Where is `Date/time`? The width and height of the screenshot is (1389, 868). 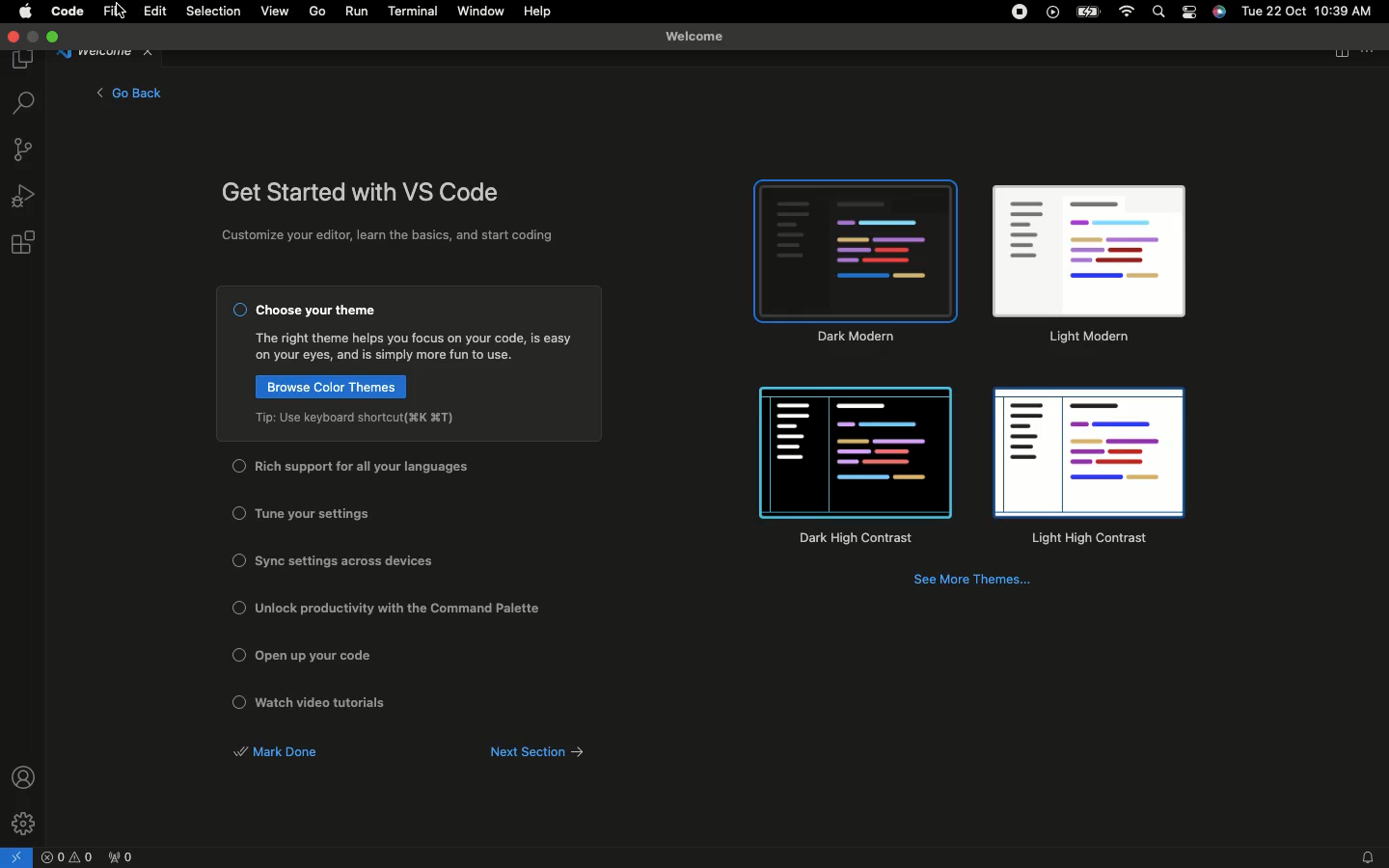 Date/time is located at coordinates (1307, 14).